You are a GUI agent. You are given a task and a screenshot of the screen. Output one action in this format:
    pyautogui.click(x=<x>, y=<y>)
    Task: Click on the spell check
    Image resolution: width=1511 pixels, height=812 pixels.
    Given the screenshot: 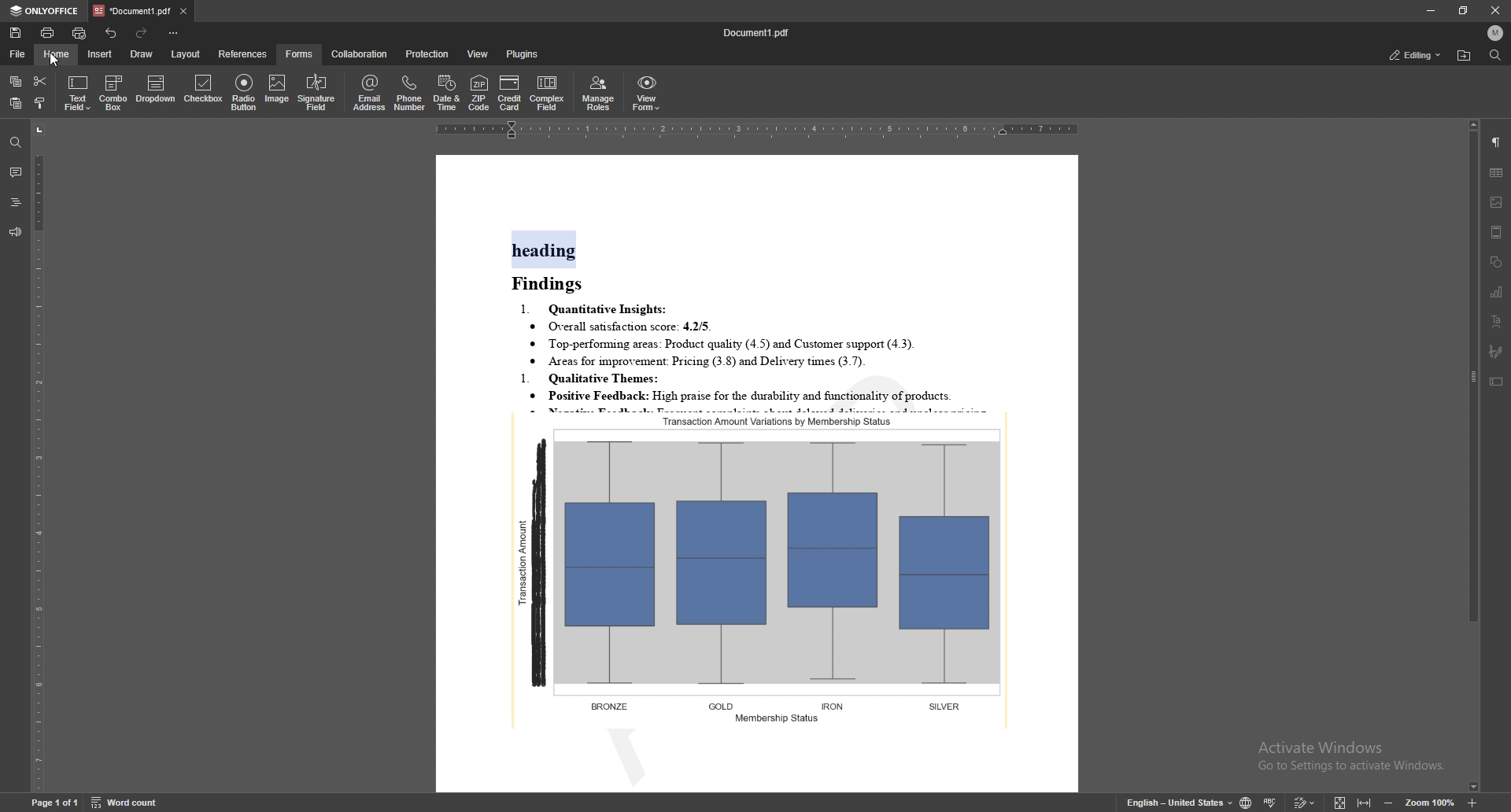 What is the action you would take?
    pyautogui.click(x=1269, y=802)
    